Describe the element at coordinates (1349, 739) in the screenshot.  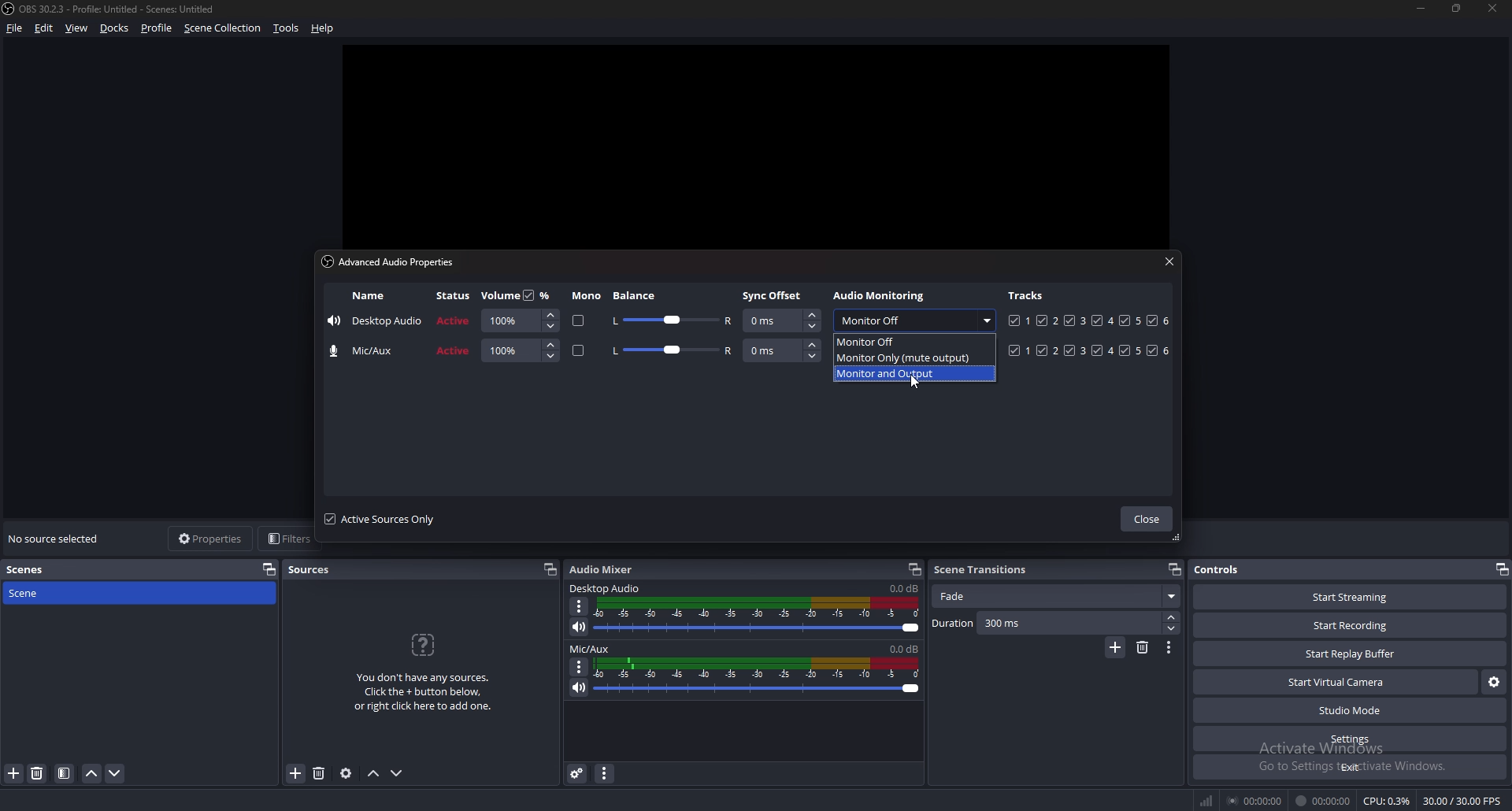
I see `settings` at that location.